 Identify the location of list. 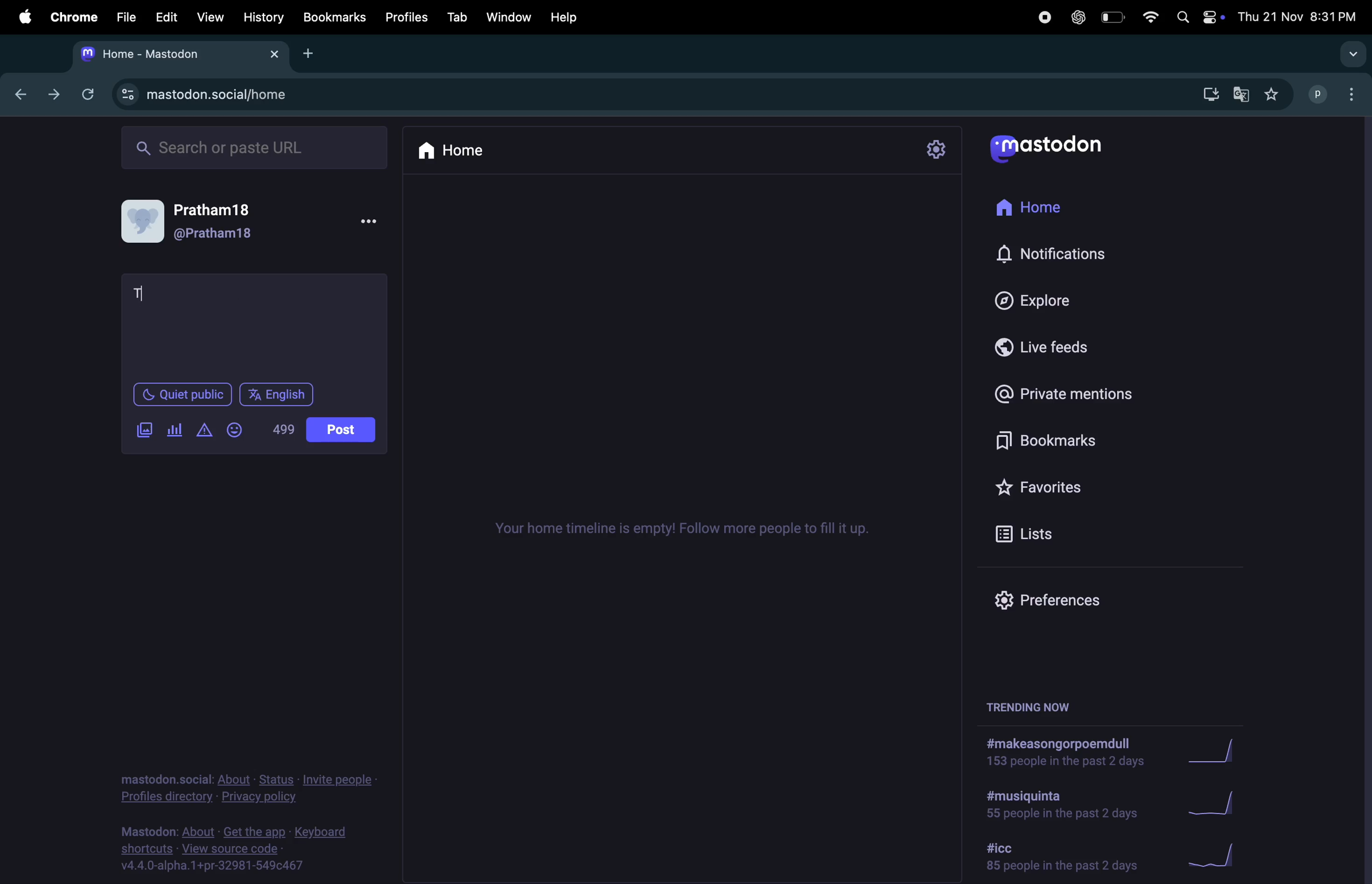
(1054, 538).